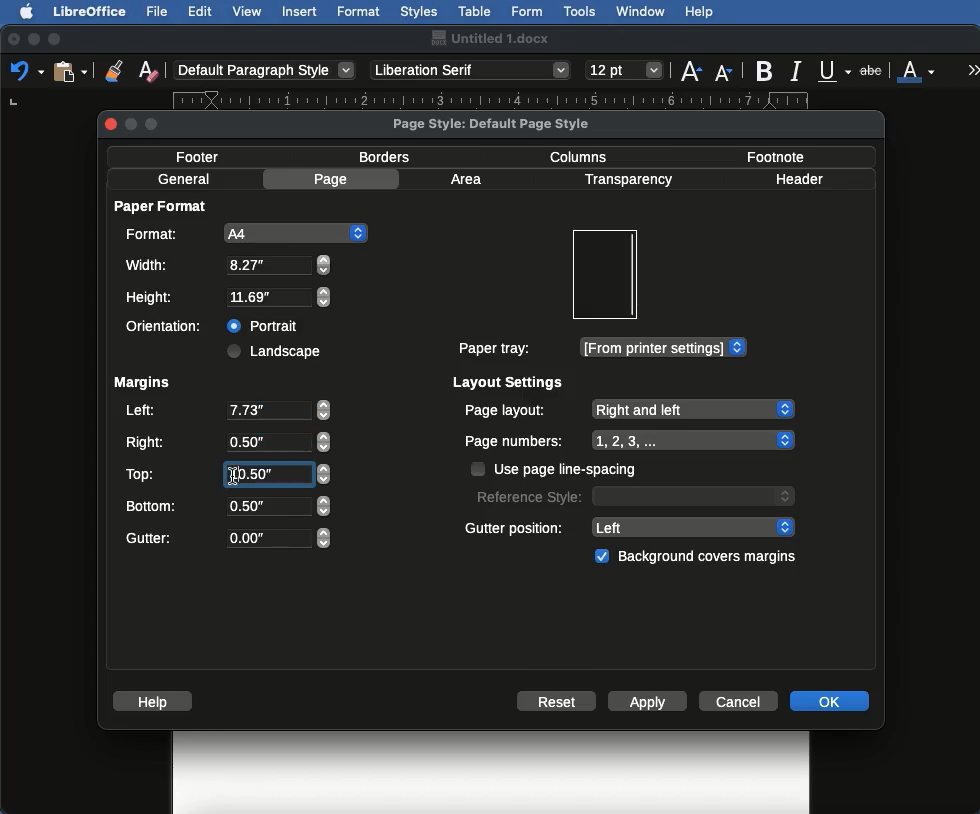 This screenshot has width=980, height=814. Describe the element at coordinates (12, 102) in the screenshot. I see `left tab` at that location.